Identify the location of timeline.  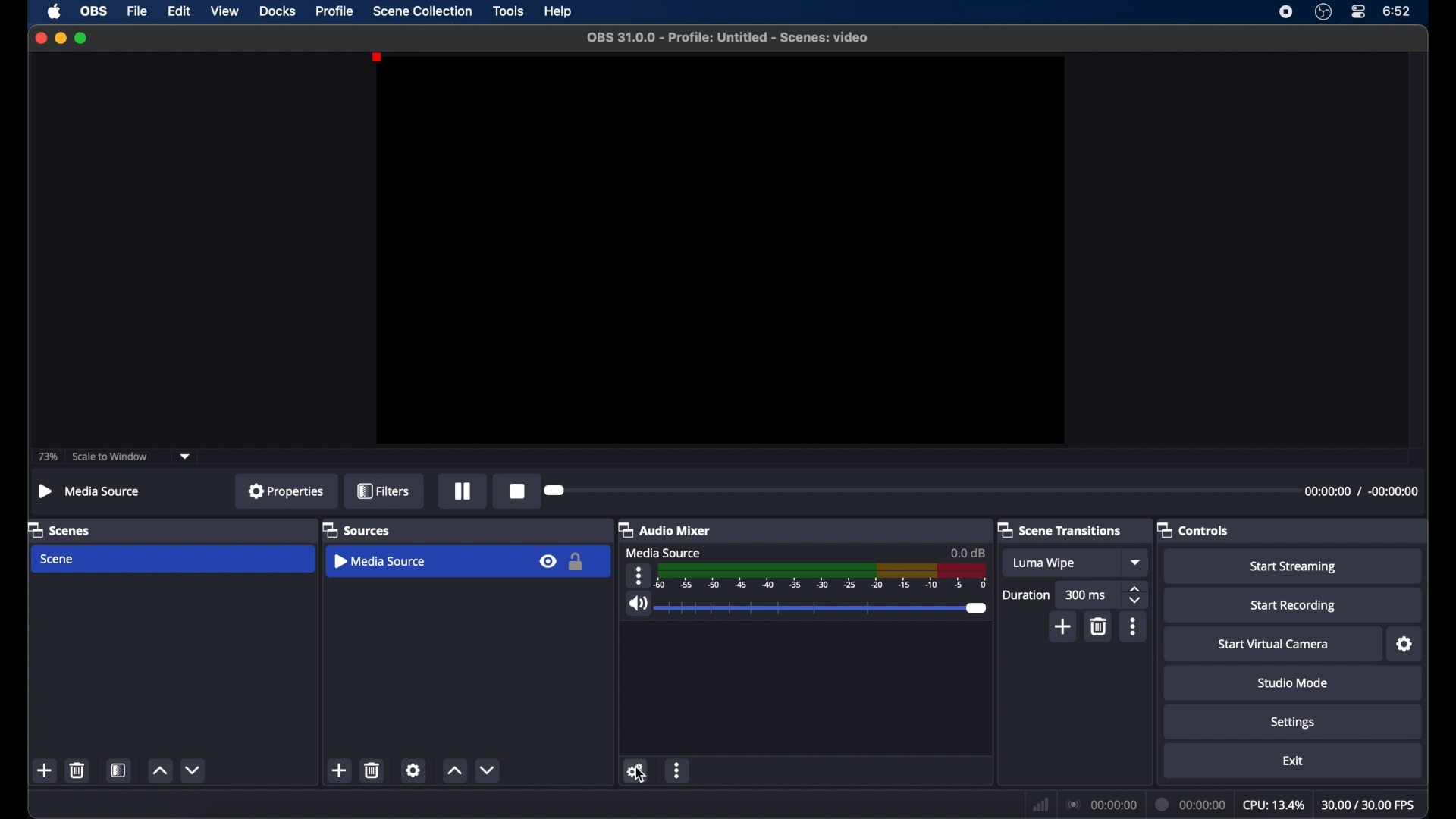
(820, 576).